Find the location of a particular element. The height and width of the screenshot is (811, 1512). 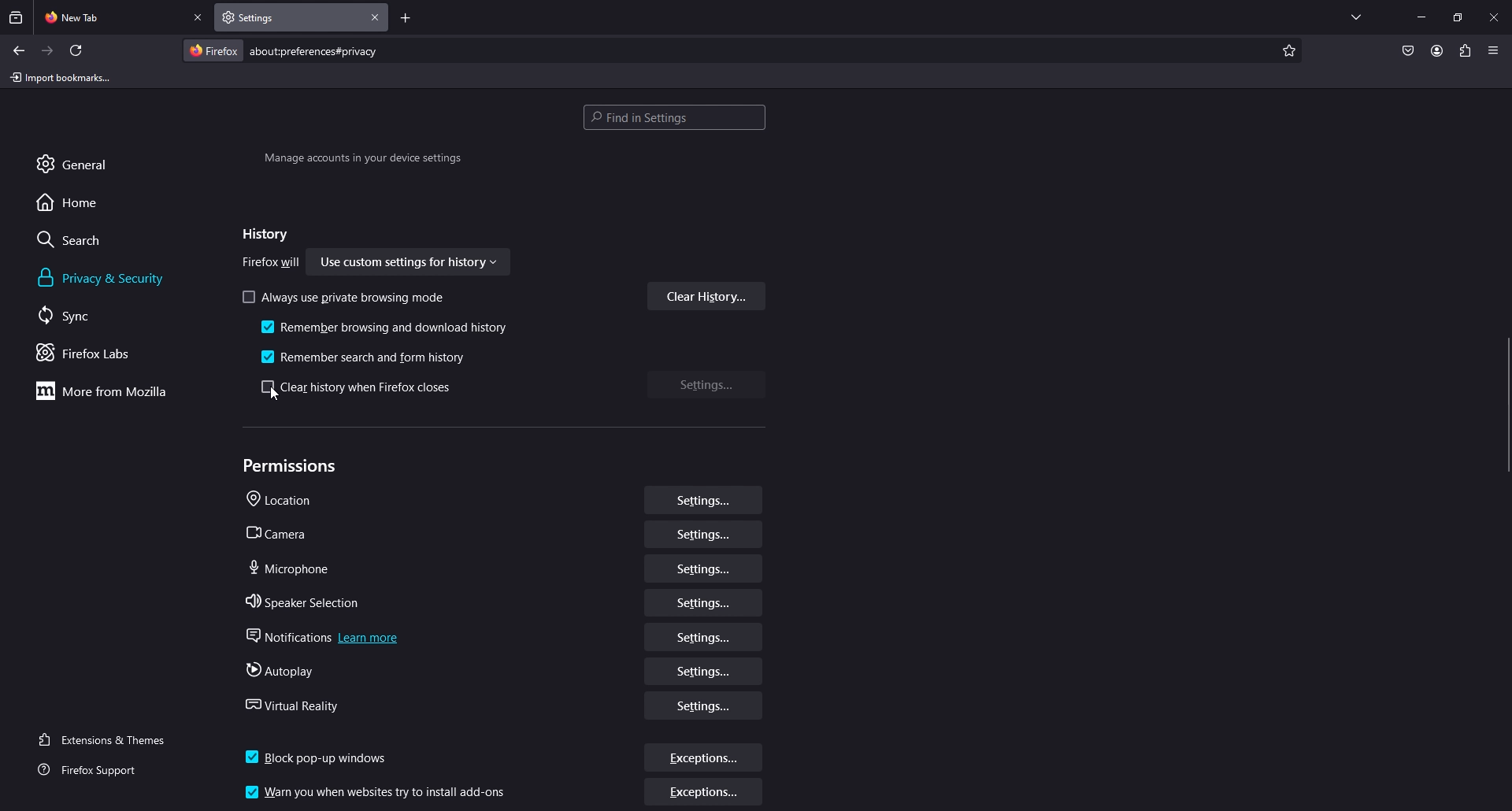

settings is located at coordinates (702, 572).